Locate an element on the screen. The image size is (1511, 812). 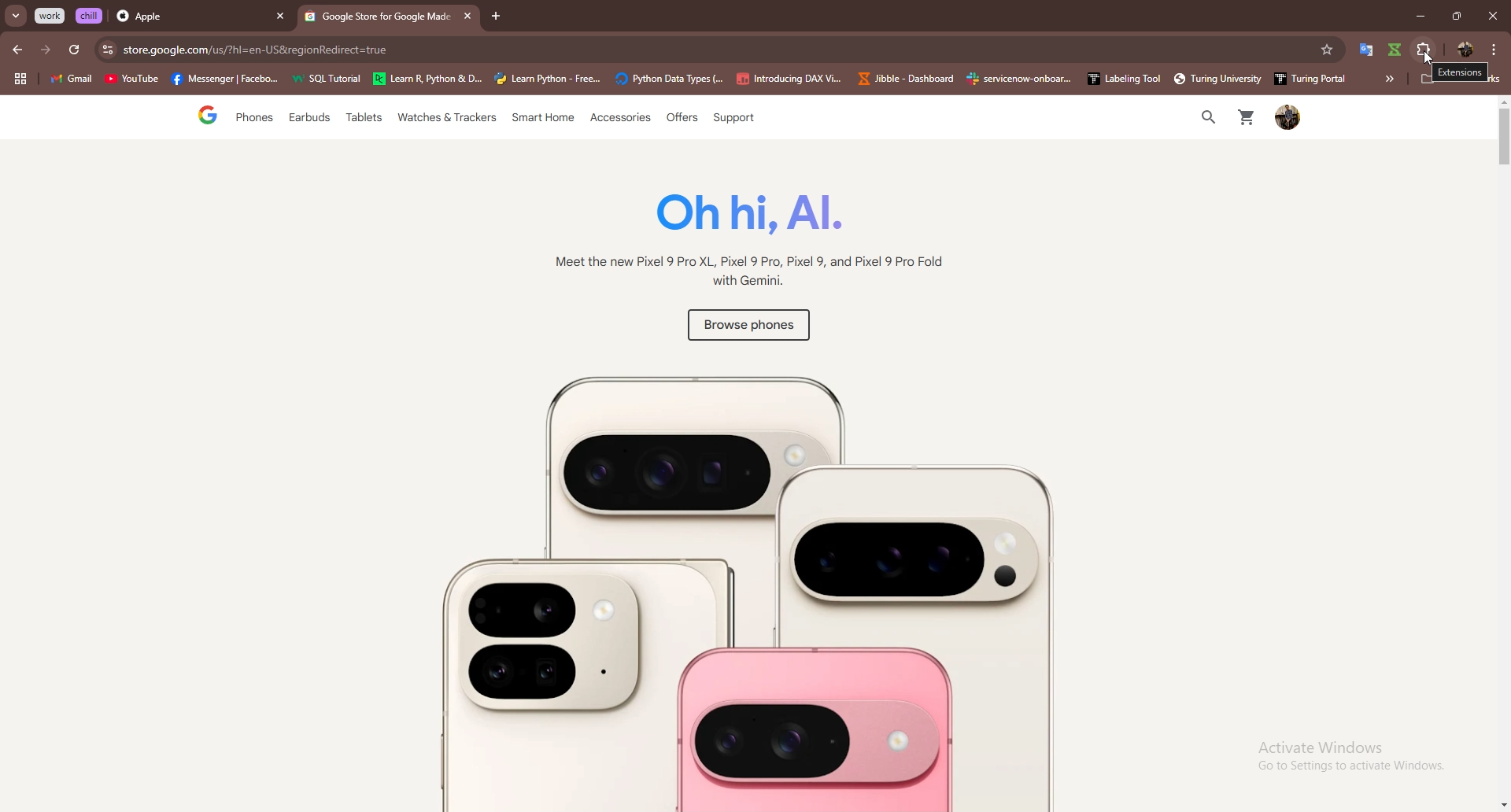
add tab is located at coordinates (497, 17).